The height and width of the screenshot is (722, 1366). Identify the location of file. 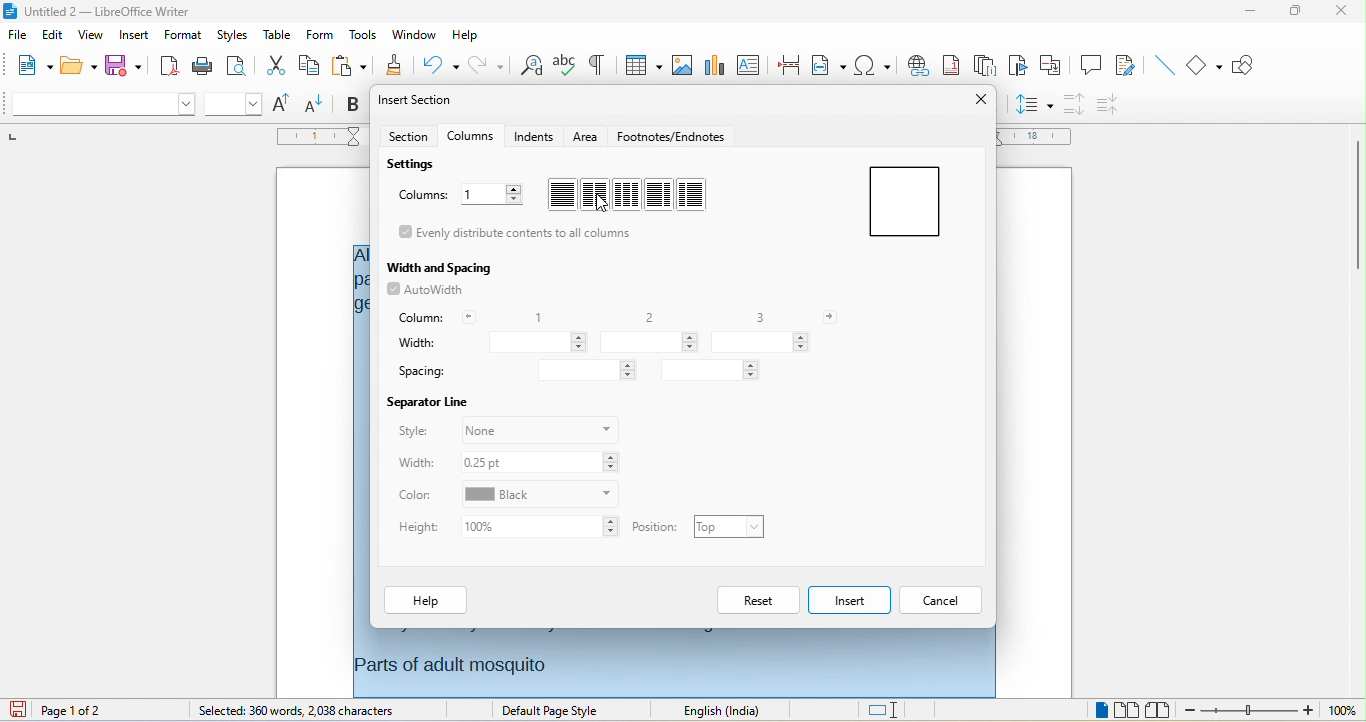
(17, 36).